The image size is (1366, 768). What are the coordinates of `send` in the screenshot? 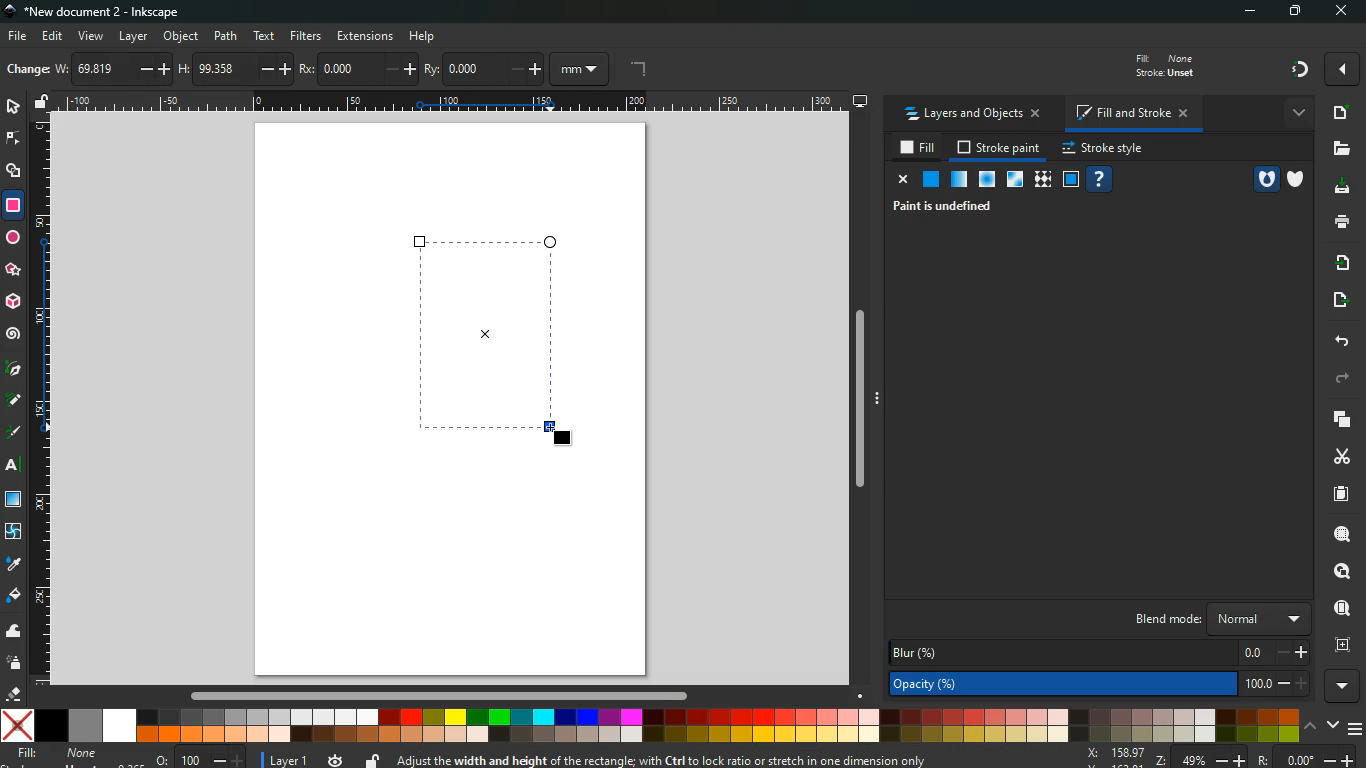 It's located at (1339, 302).